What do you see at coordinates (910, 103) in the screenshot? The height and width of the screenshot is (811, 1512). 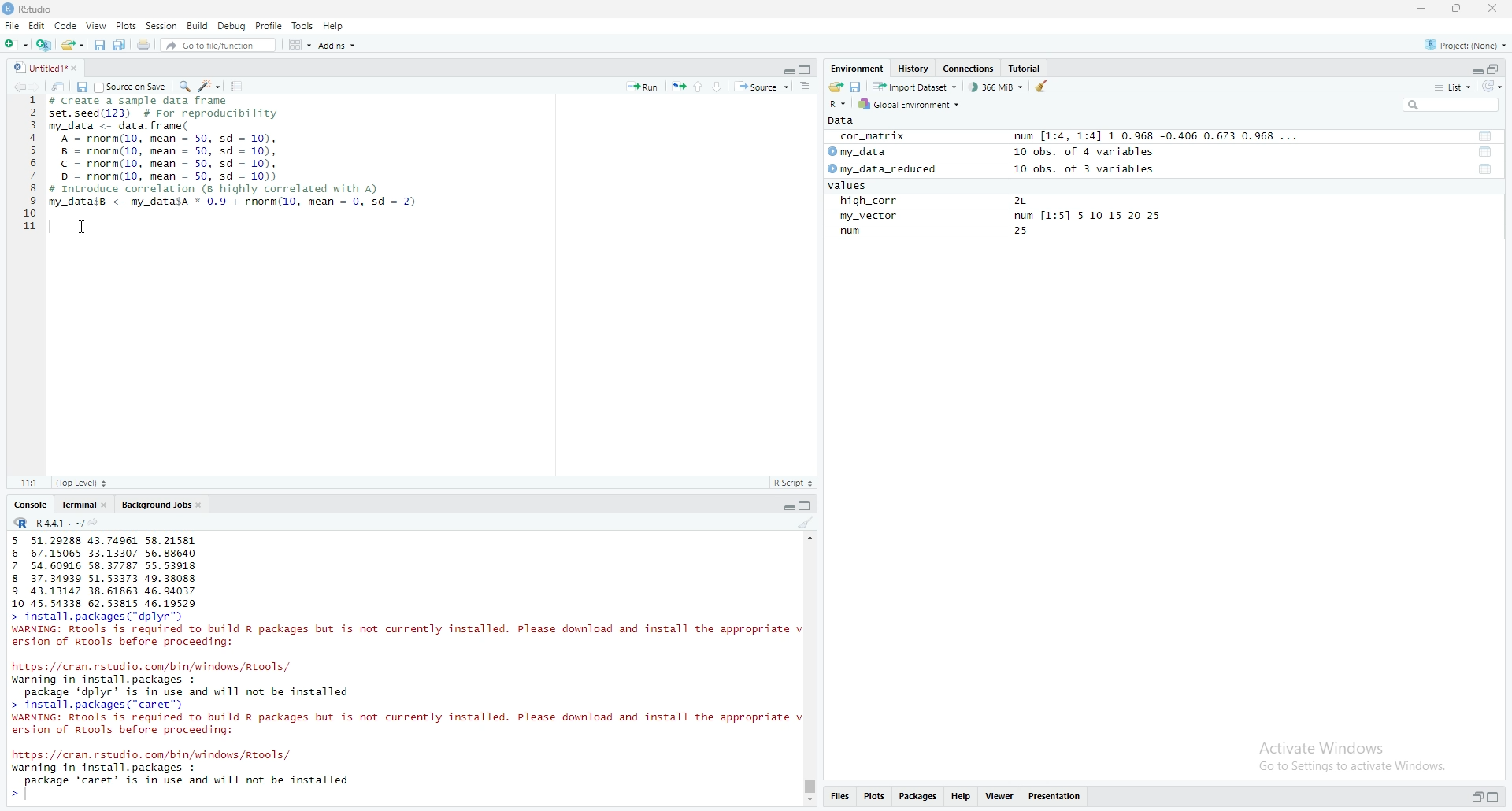 I see `Global Environment ` at bounding box center [910, 103].